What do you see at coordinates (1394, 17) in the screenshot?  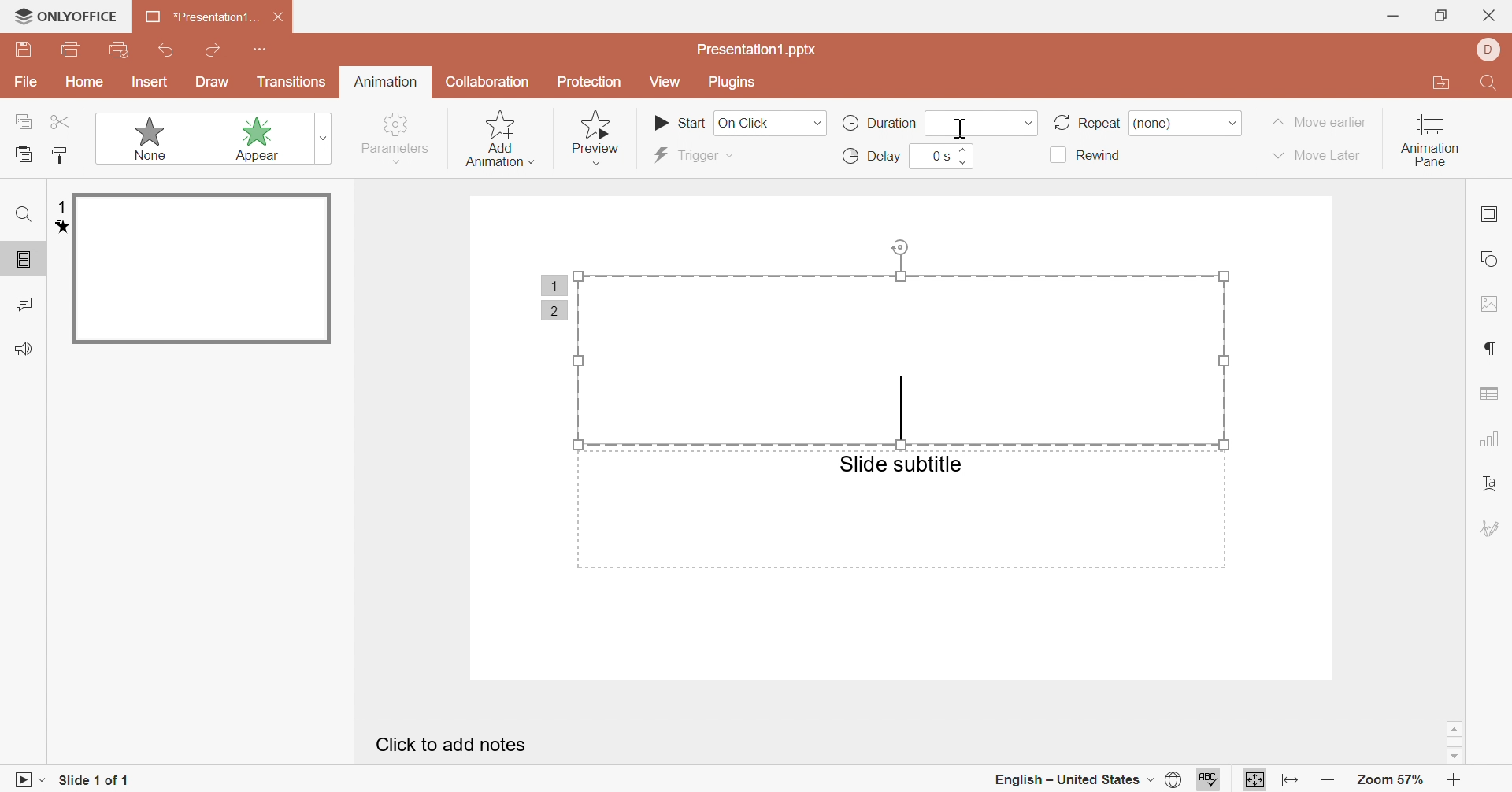 I see `minimize` at bounding box center [1394, 17].